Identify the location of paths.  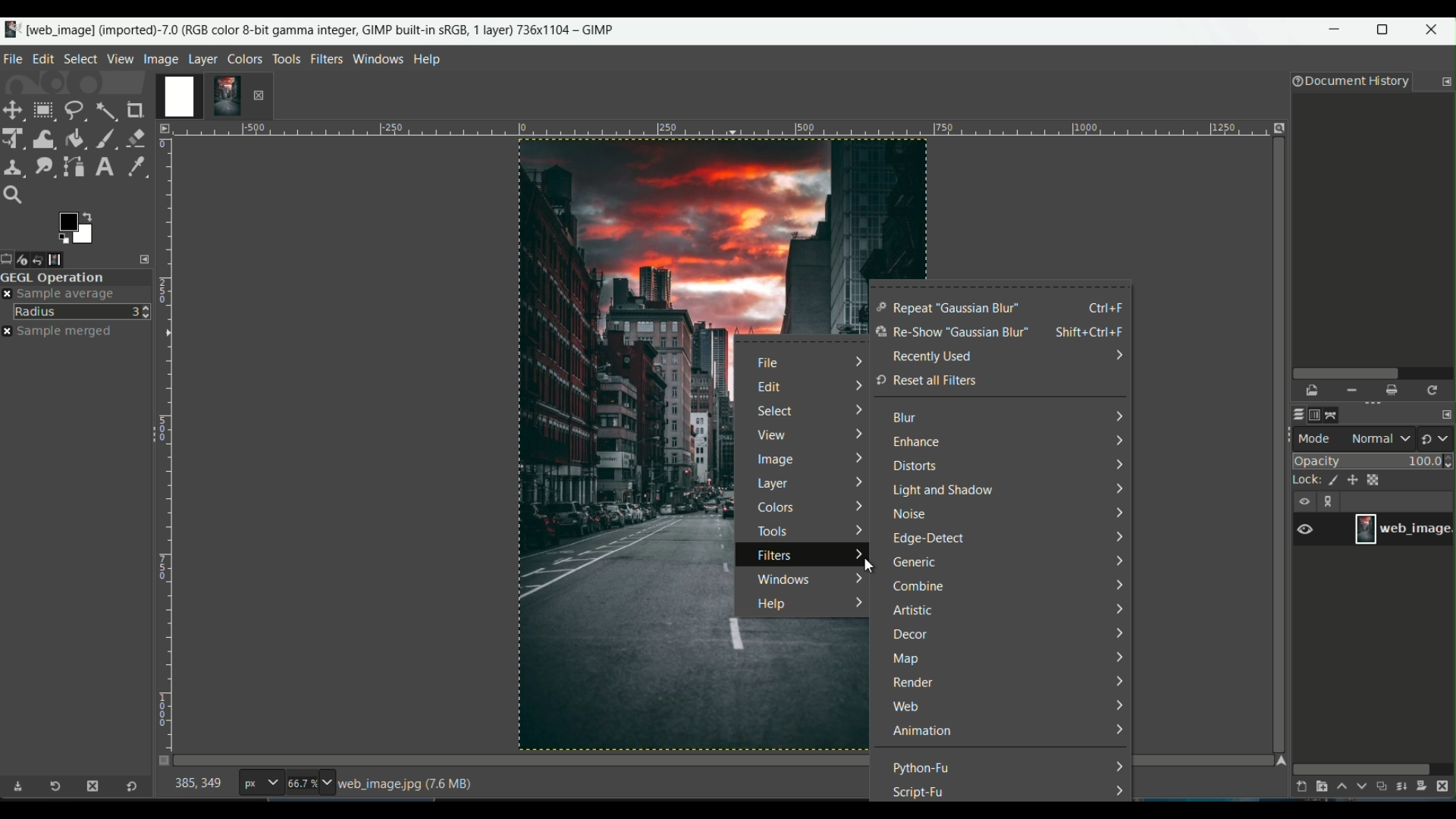
(1336, 413).